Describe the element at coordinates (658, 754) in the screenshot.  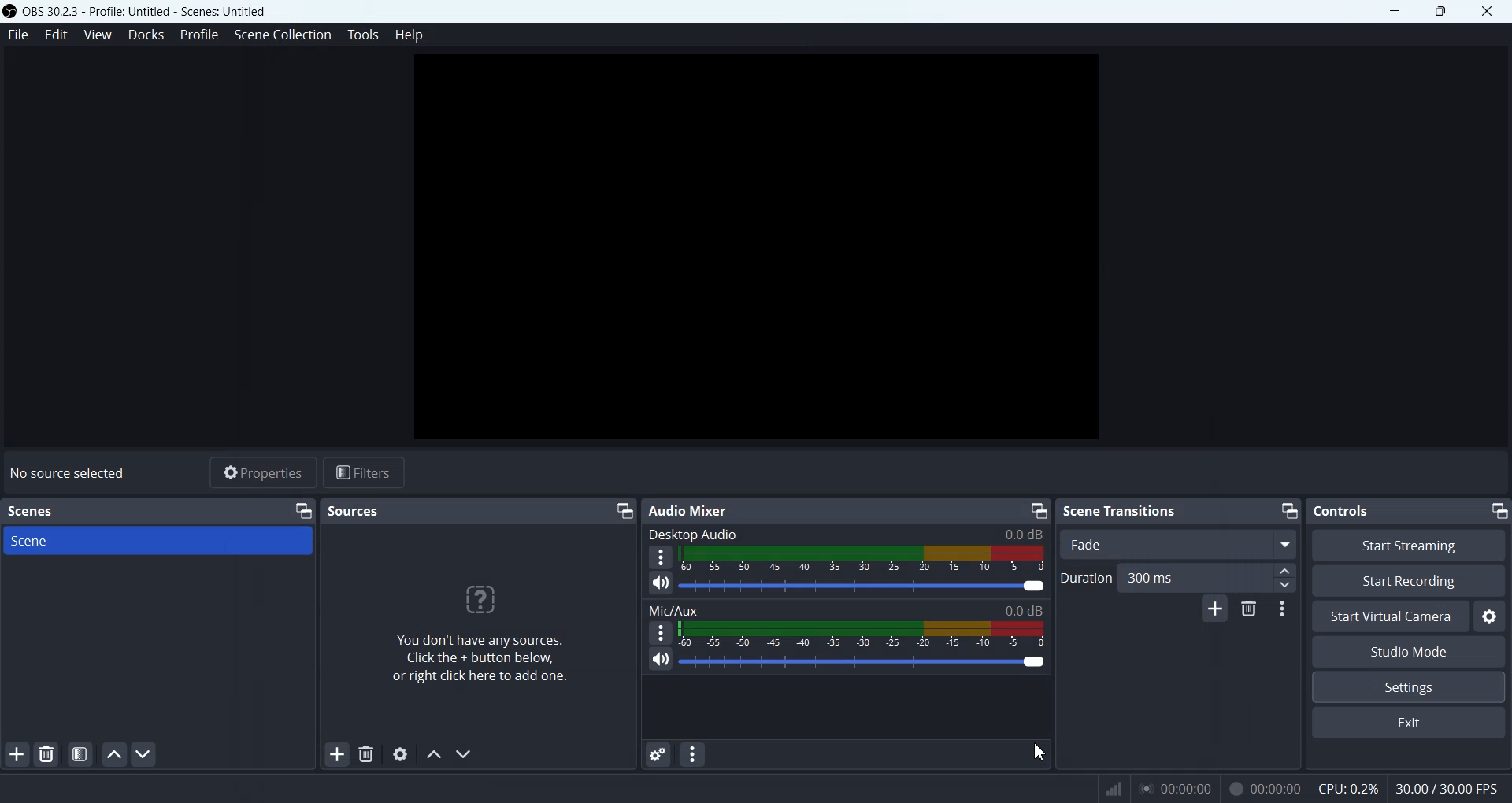
I see `Advance audio Properties` at that location.